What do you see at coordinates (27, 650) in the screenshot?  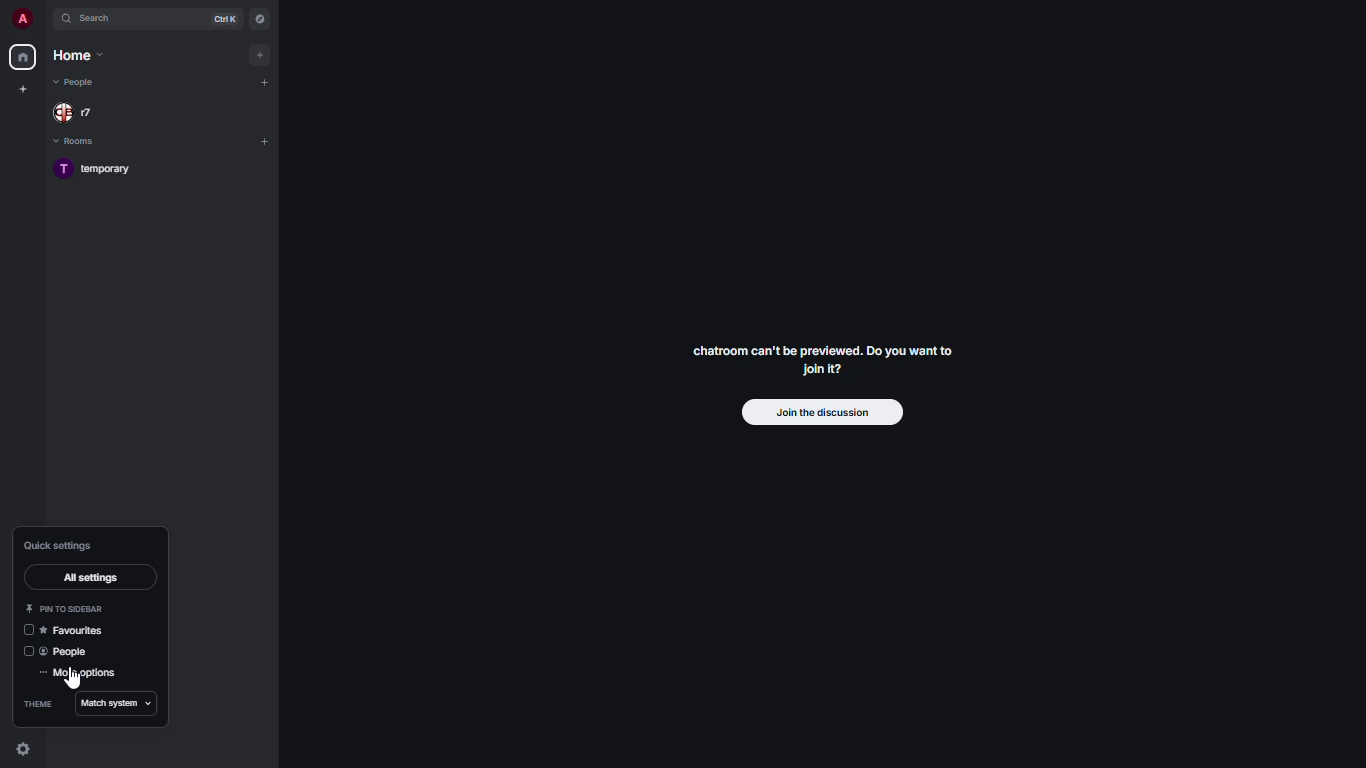 I see `disabled` at bounding box center [27, 650].